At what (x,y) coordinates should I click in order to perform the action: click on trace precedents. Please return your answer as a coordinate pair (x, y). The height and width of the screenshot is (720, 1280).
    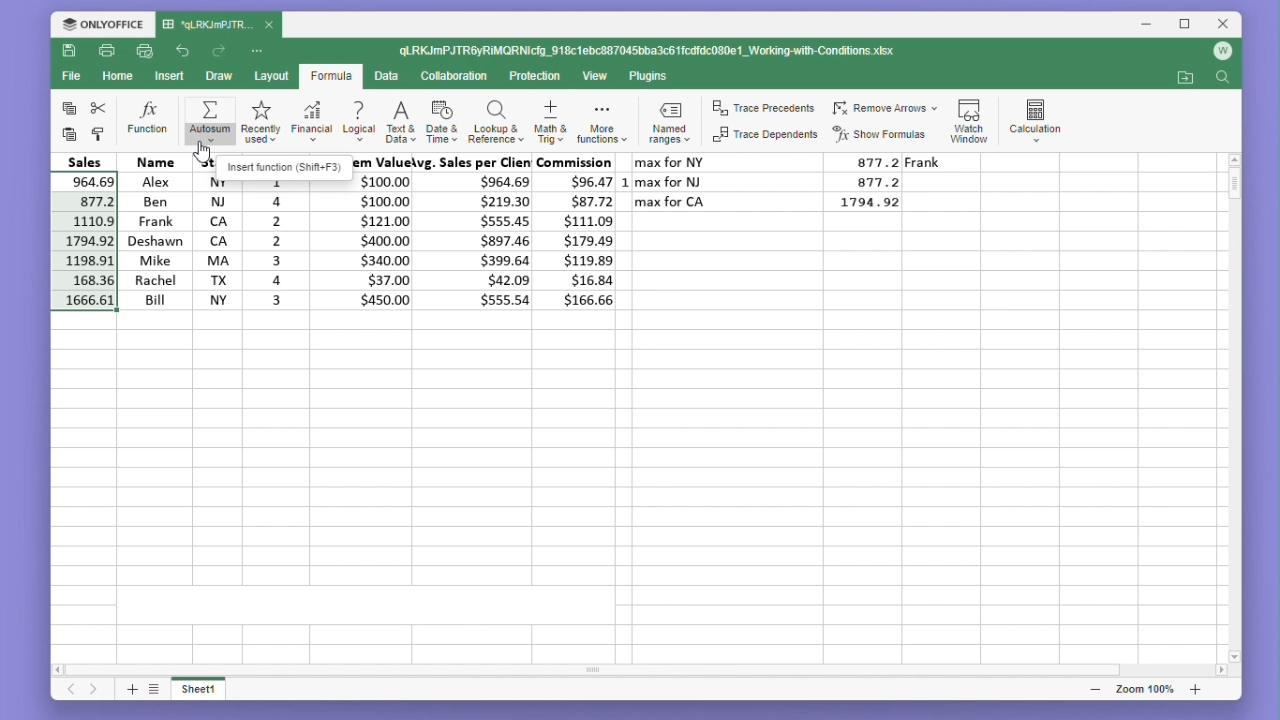
    Looking at the image, I should click on (766, 110).